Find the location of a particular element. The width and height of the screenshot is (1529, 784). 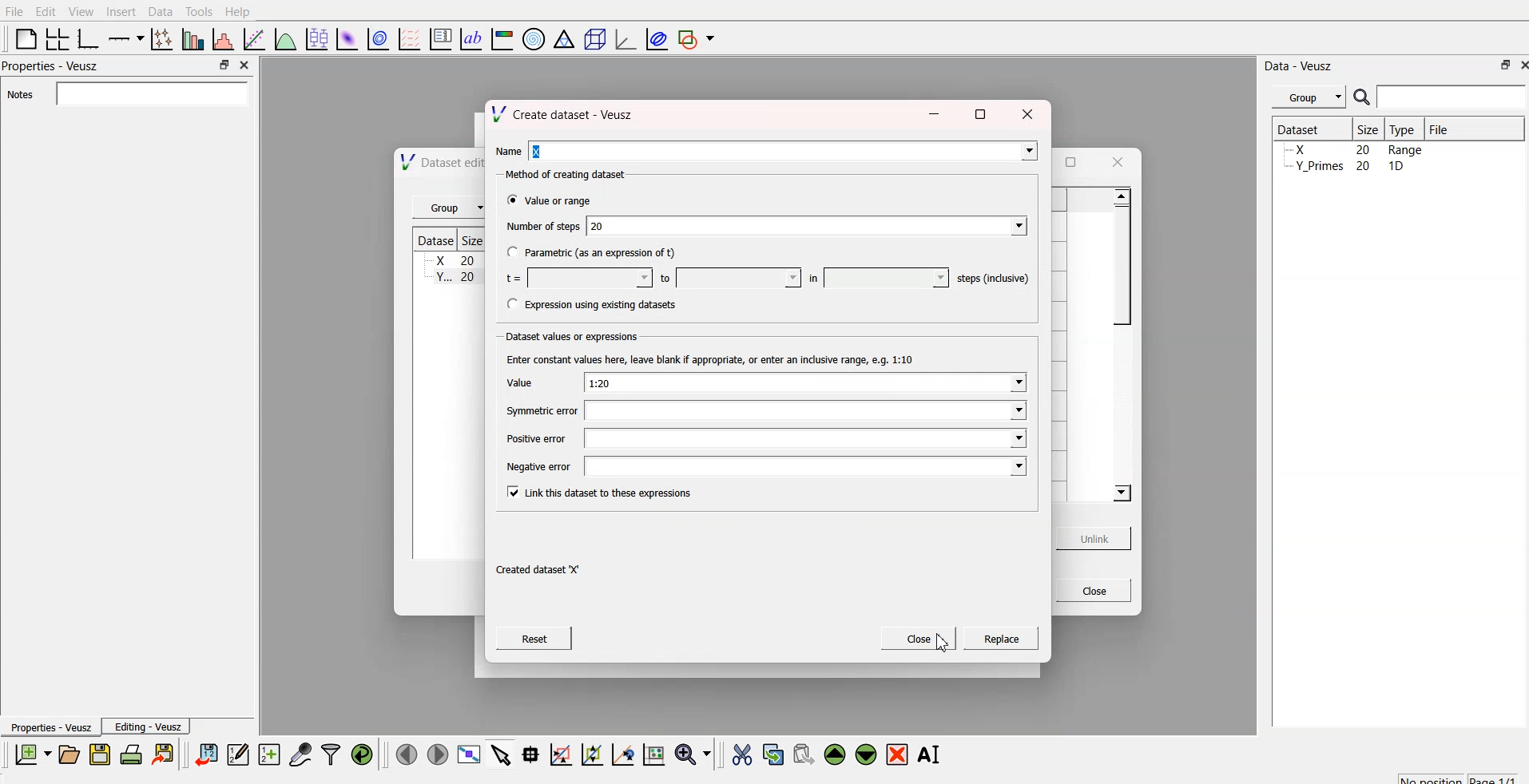

Negatveeror | is located at coordinates (768, 467).